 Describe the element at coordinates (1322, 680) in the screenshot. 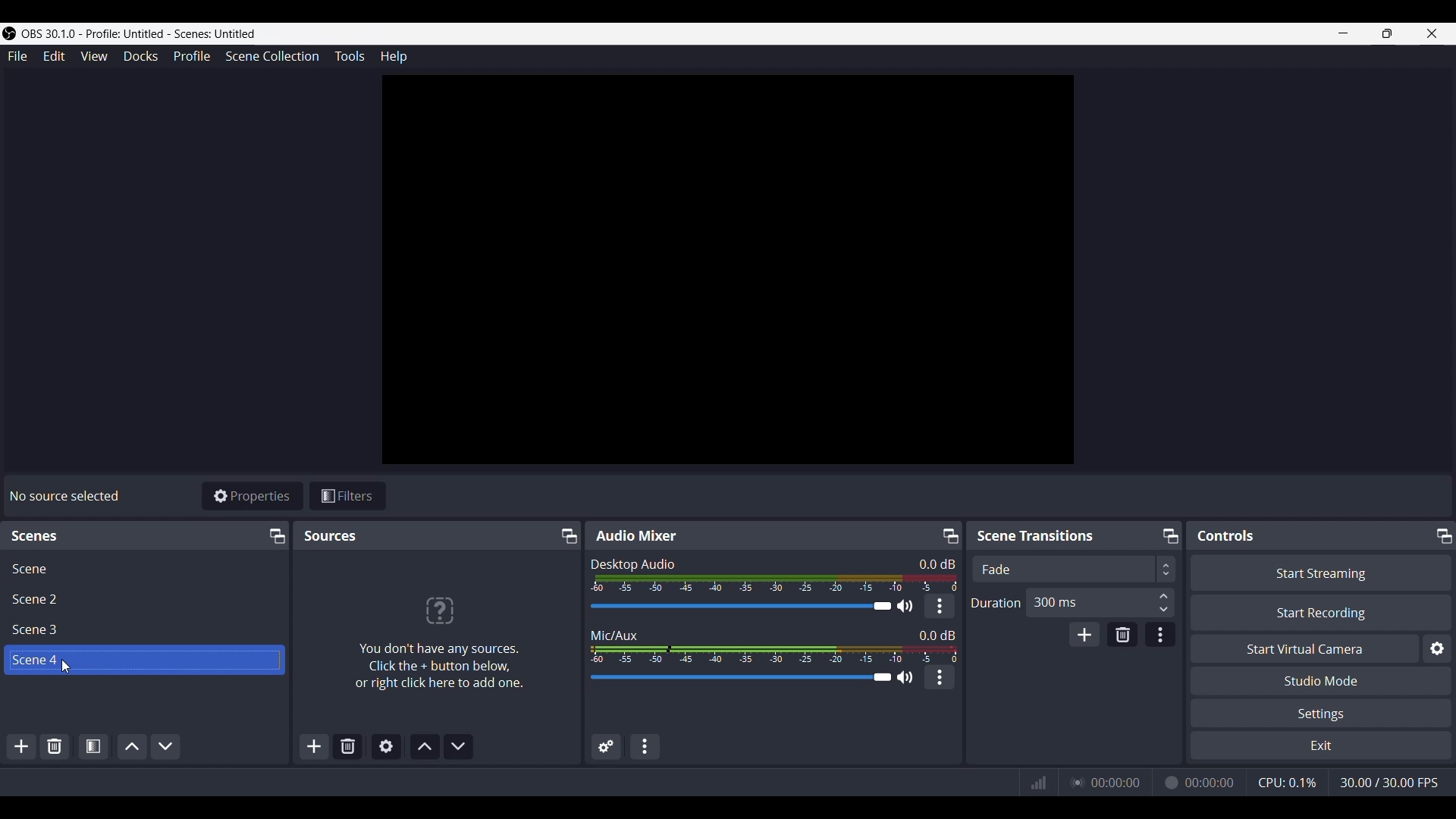

I see `Studio Mode` at that location.